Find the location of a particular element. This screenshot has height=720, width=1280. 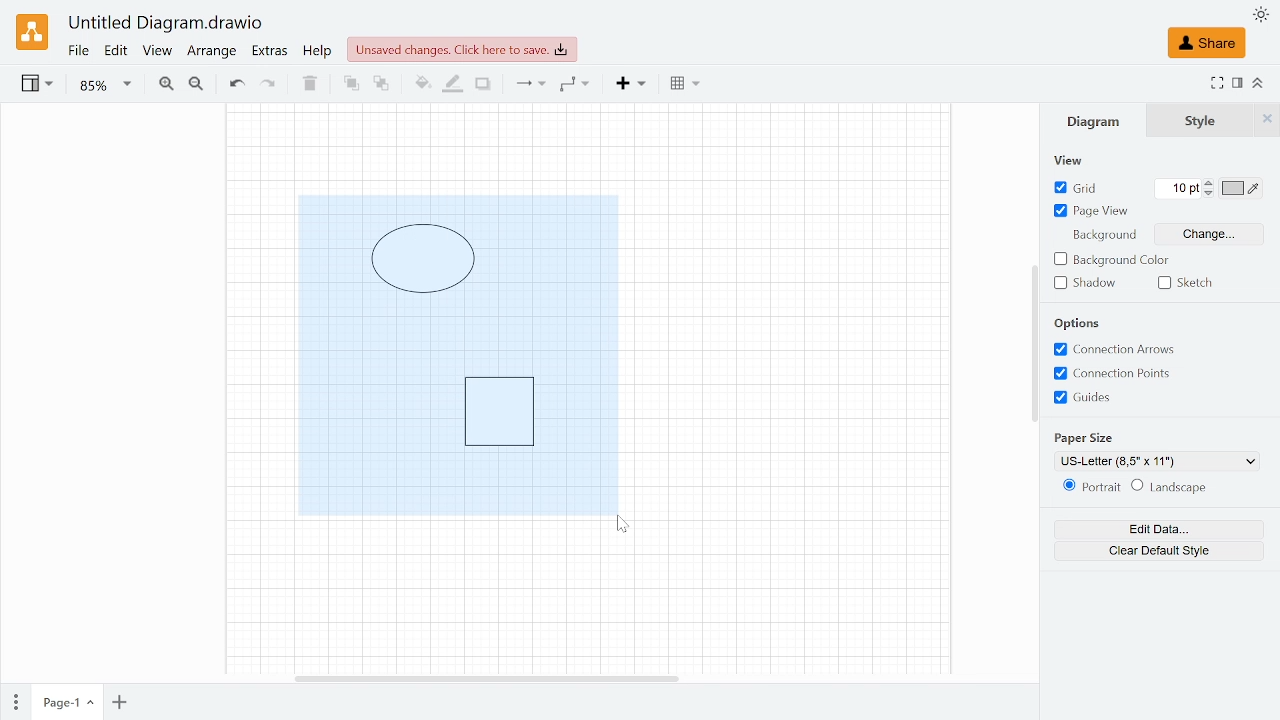

Fill line is located at coordinates (450, 85).